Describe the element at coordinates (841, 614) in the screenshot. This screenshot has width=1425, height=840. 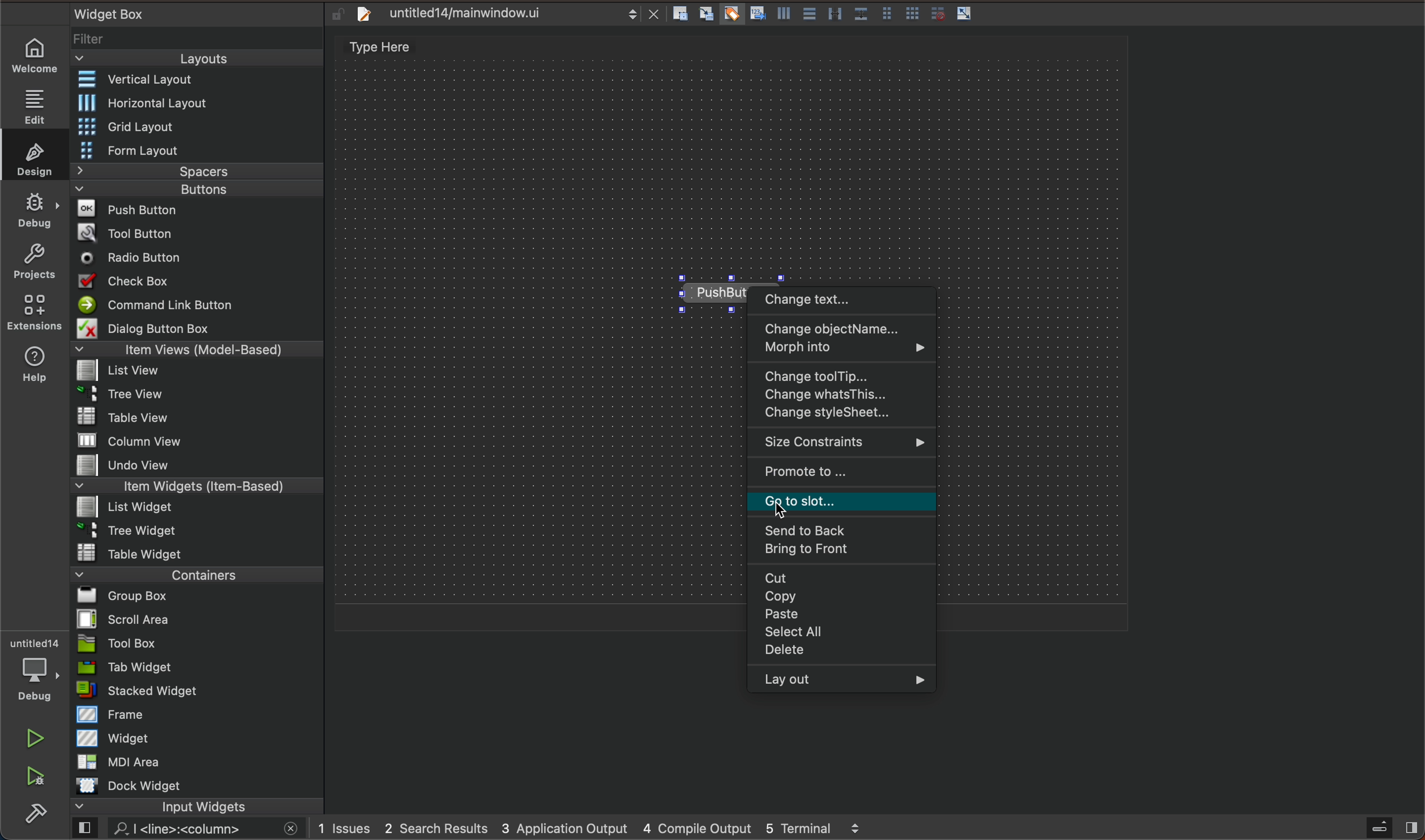
I see `paste` at that location.